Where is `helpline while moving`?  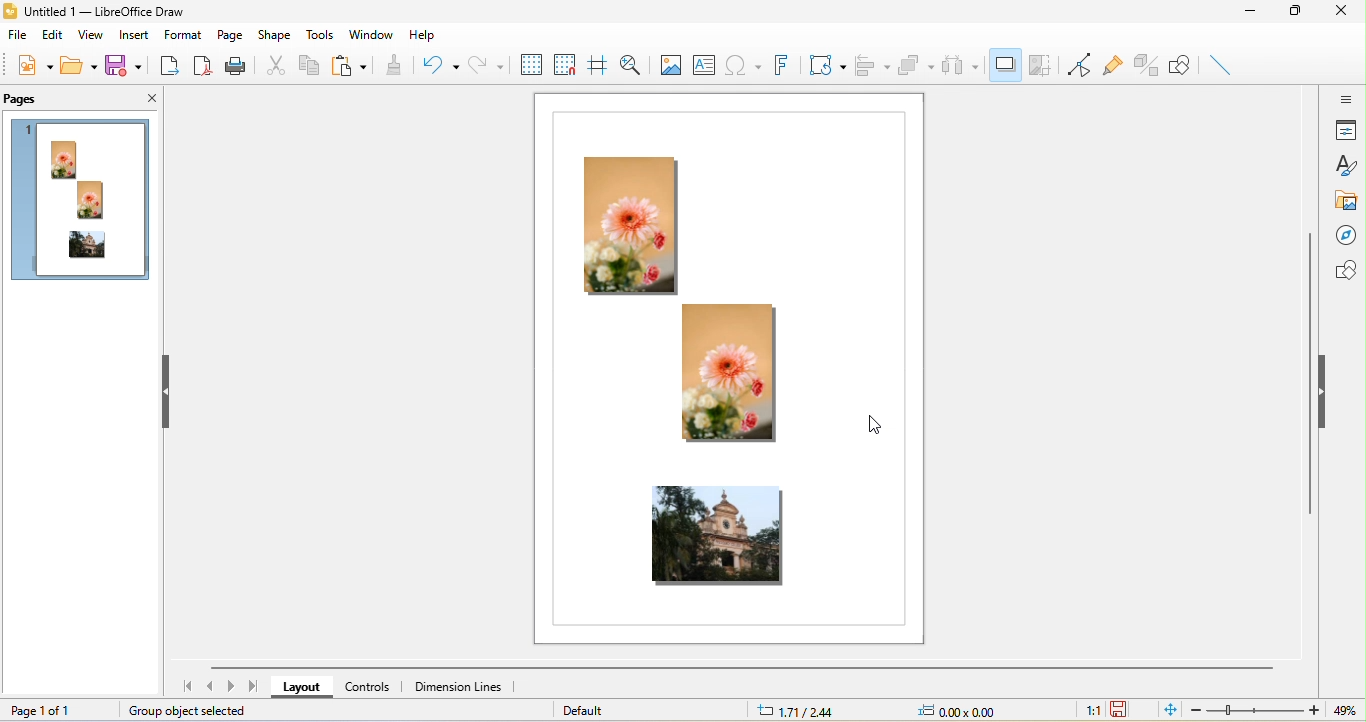 helpline while moving is located at coordinates (598, 66).